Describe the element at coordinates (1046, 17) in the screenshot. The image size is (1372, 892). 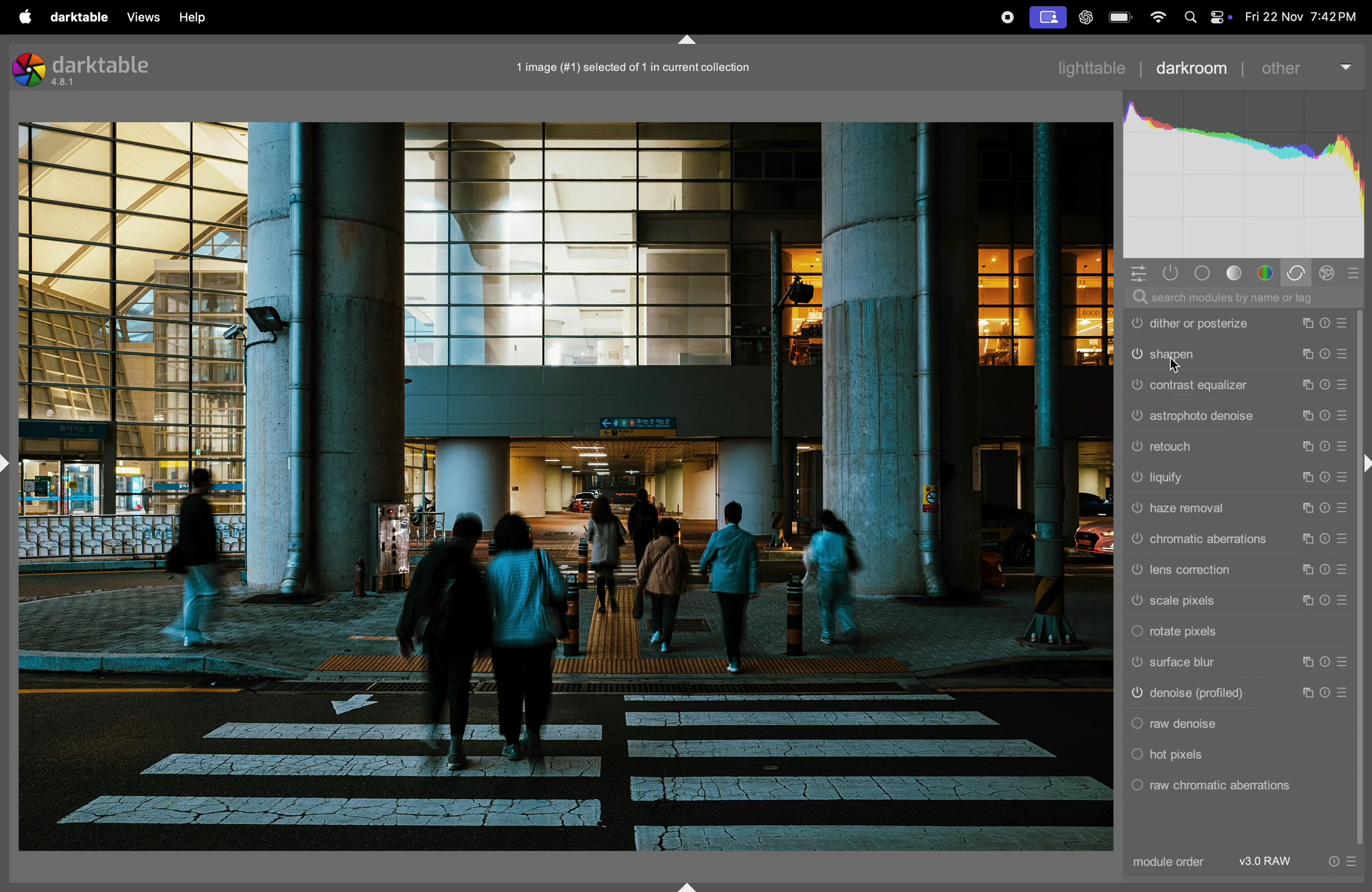
I see `record` at that location.